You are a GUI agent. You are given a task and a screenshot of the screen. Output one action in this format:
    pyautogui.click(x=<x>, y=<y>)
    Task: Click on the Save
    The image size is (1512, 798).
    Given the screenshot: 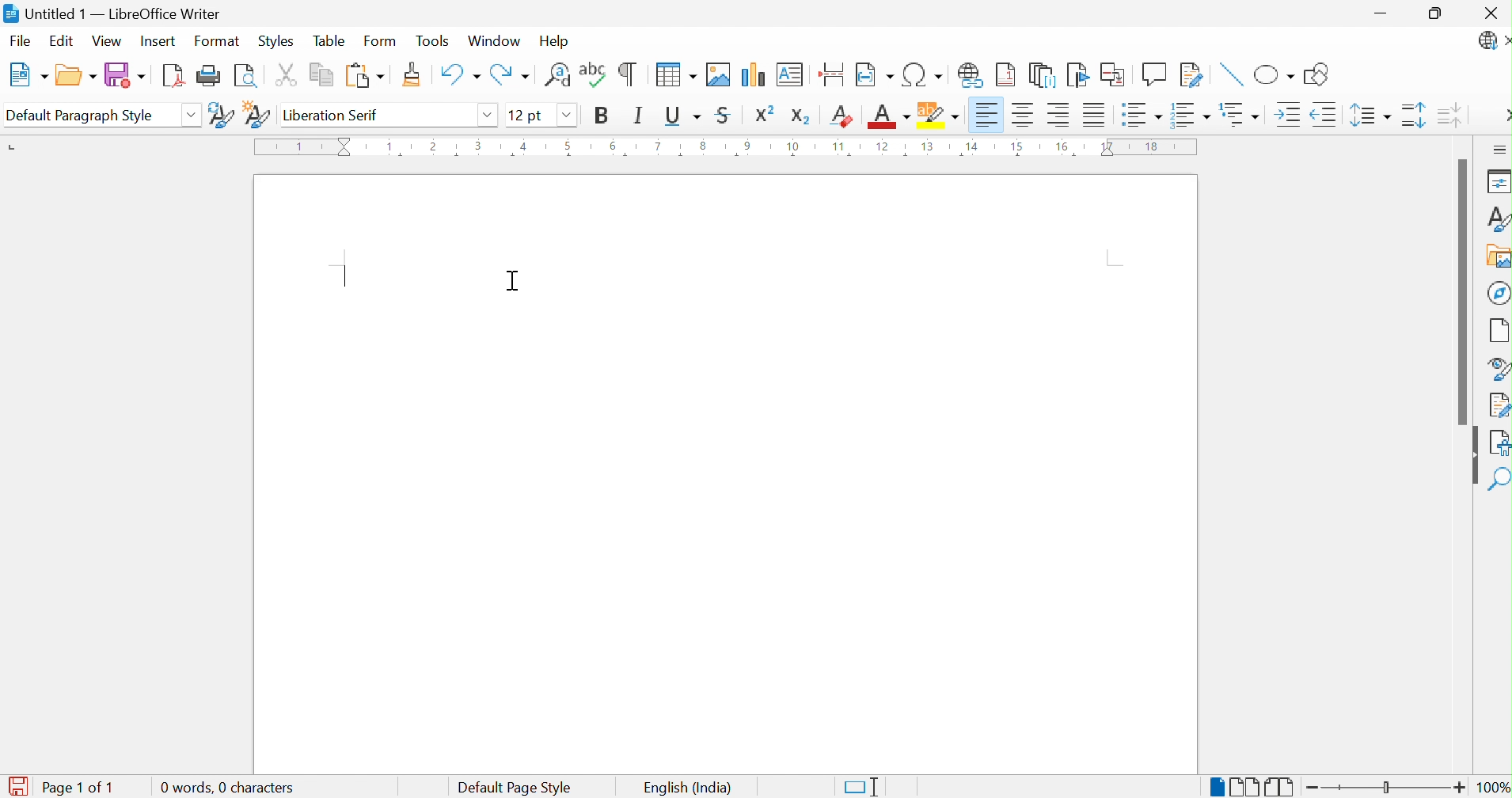 What is the action you would take?
    pyautogui.click(x=124, y=75)
    